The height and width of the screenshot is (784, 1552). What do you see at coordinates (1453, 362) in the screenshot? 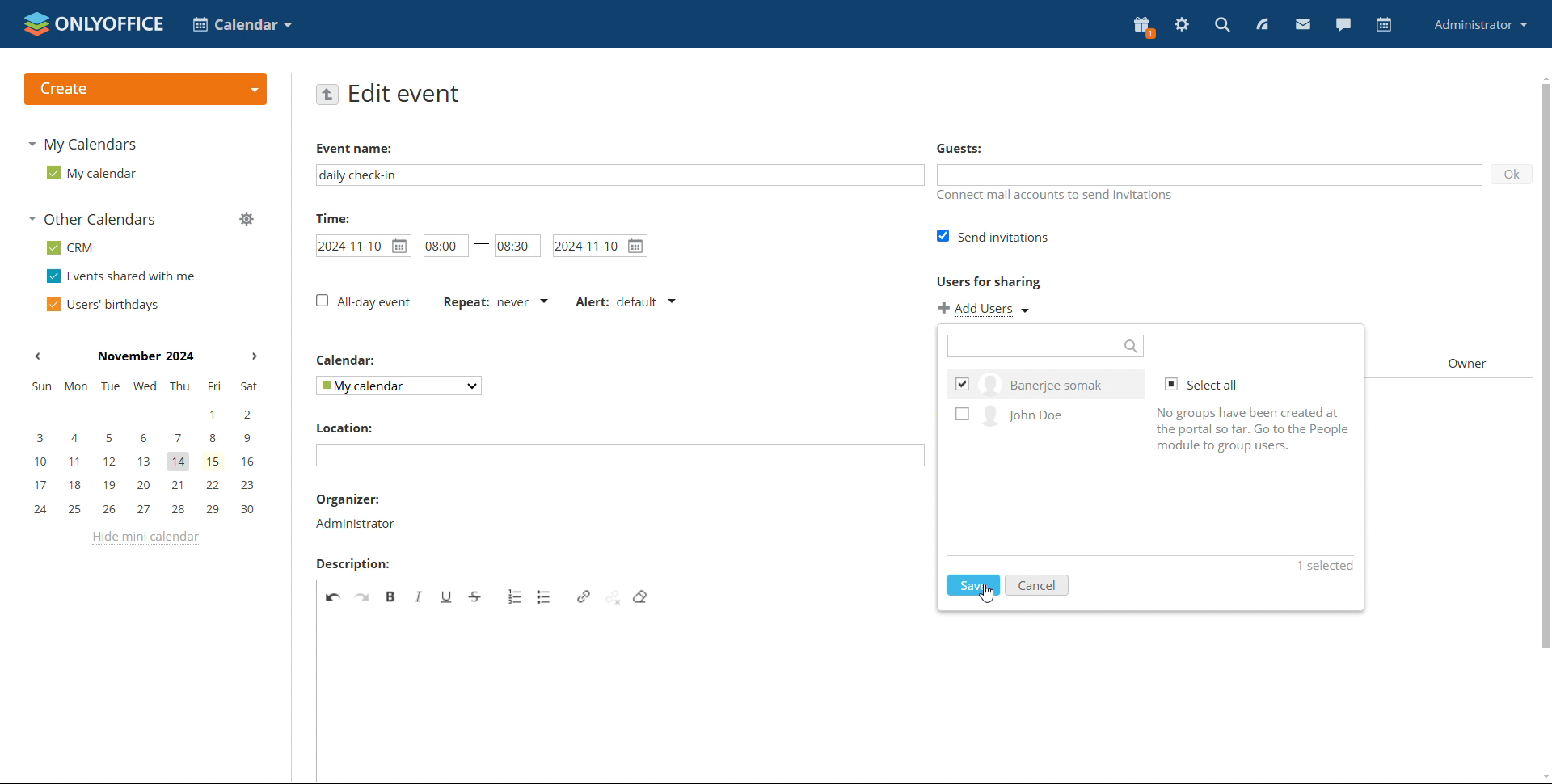
I see `owner` at bounding box center [1453, 362].